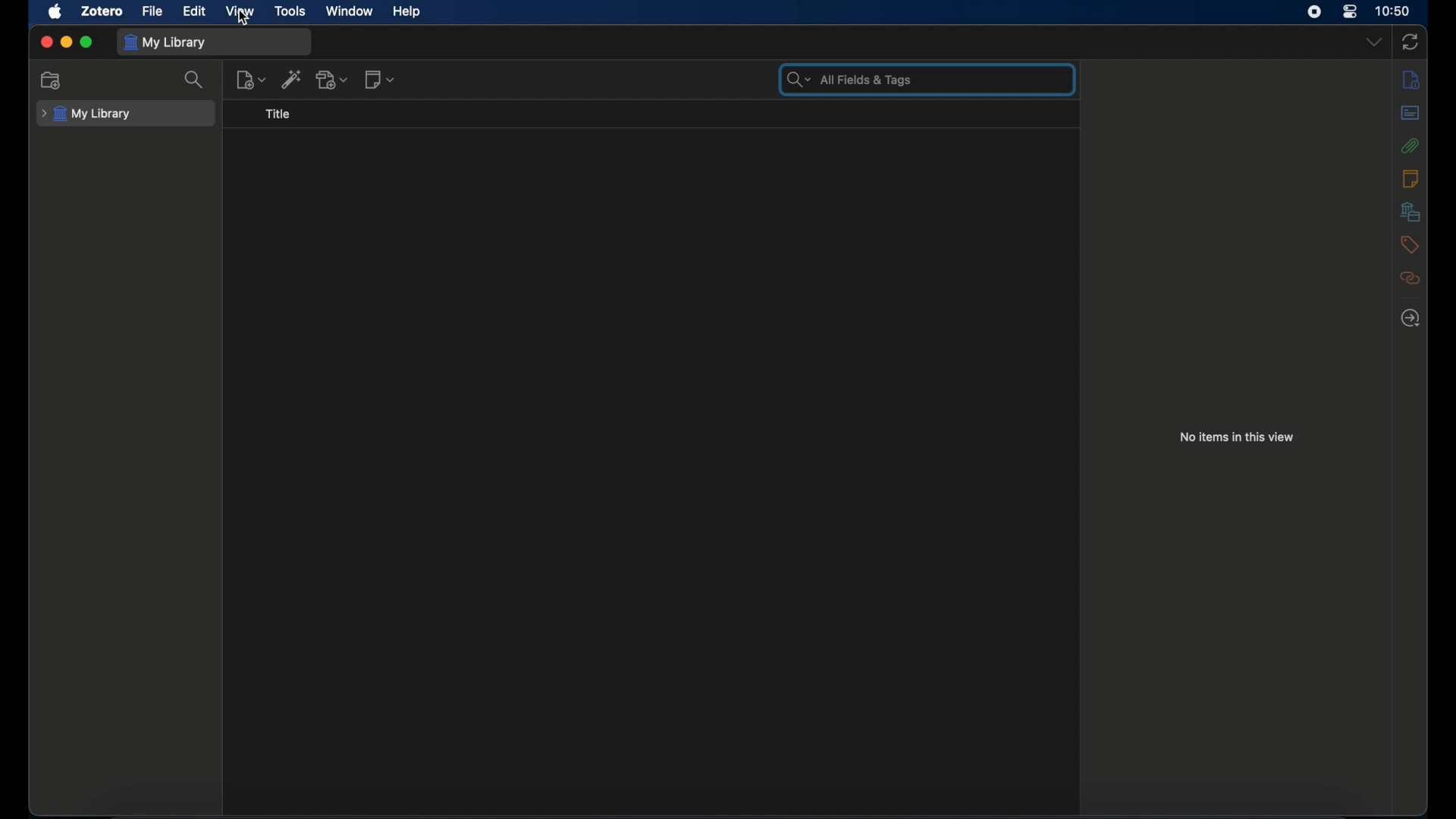 The width and height of the screenshot is (1456, 819). I want to click on no items in this view, so click(1238, 437).